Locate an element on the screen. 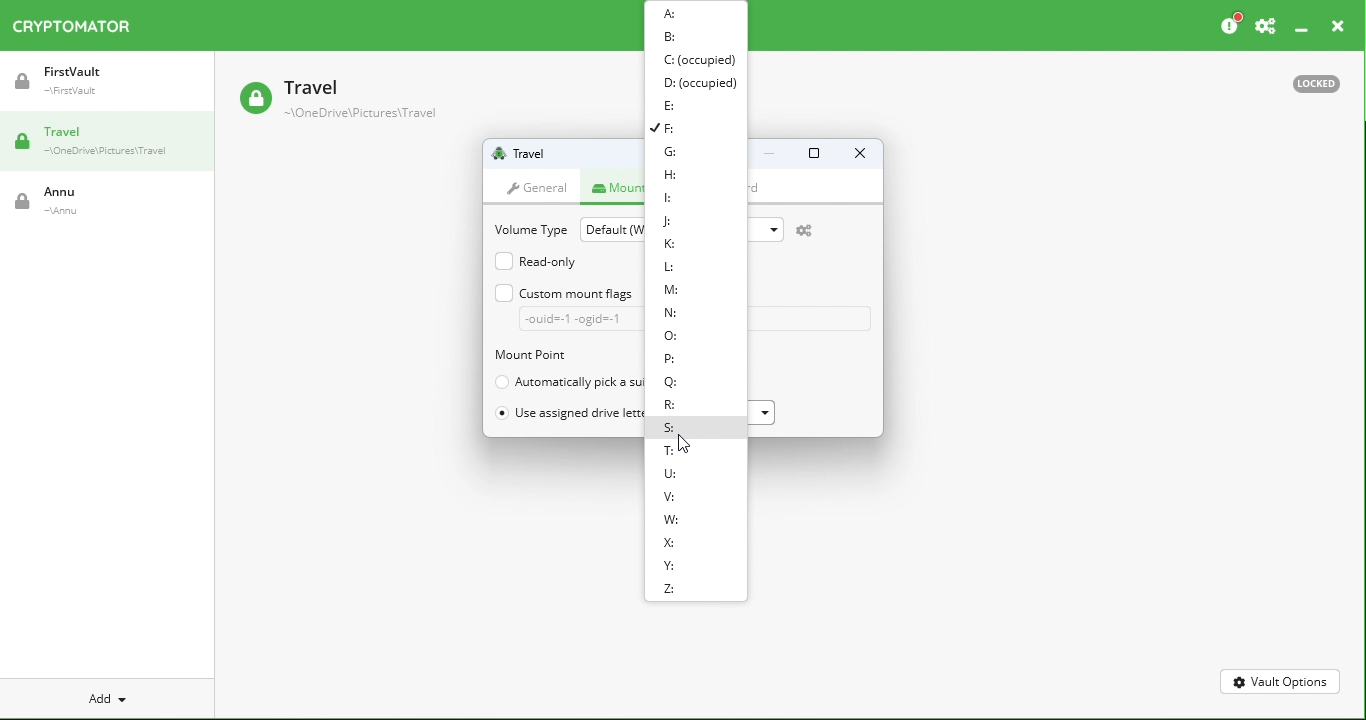 The height and width of the screenshot is (720, 1366). S: is located at coordinates (672, 429).